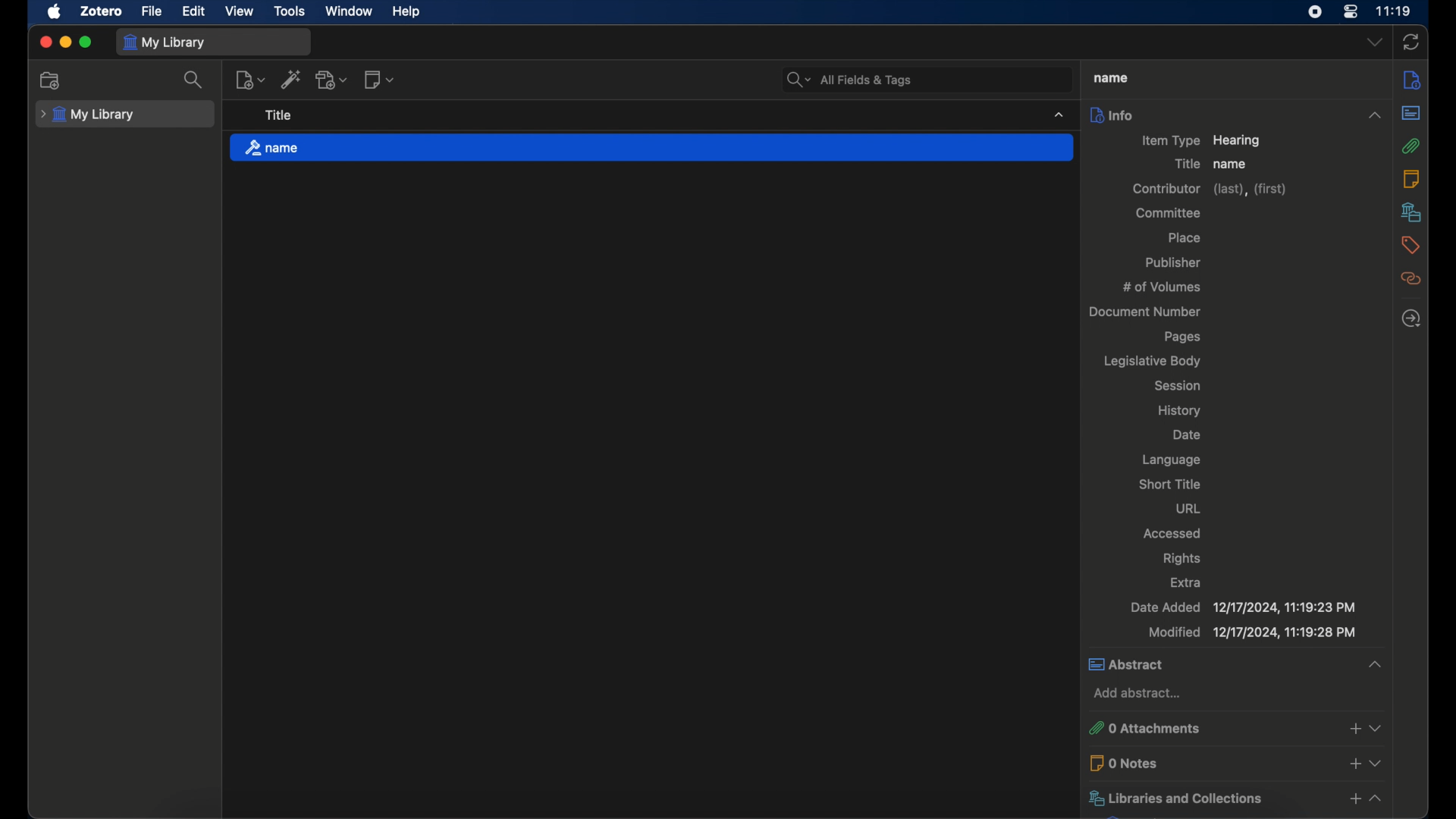  What do you see at coordinates (406, 12) in the screenshot?
I see `help` at bounding box center [406, 12].